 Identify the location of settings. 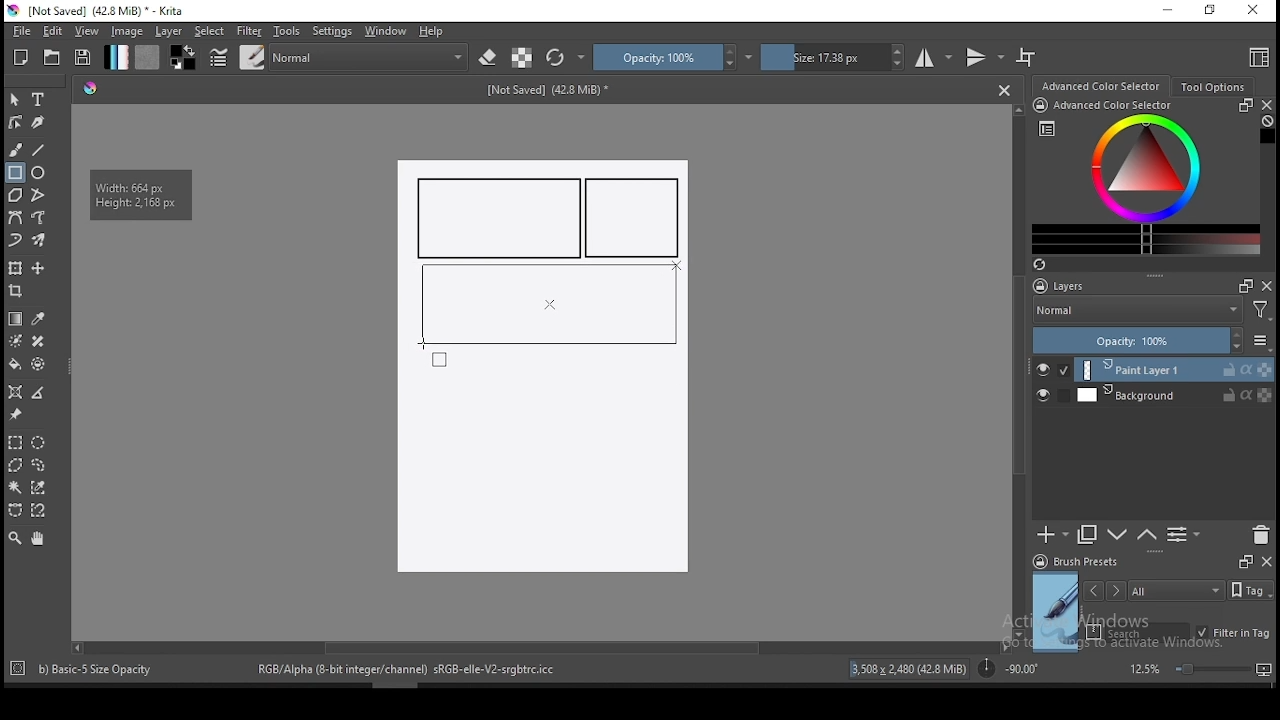
(332, 31).